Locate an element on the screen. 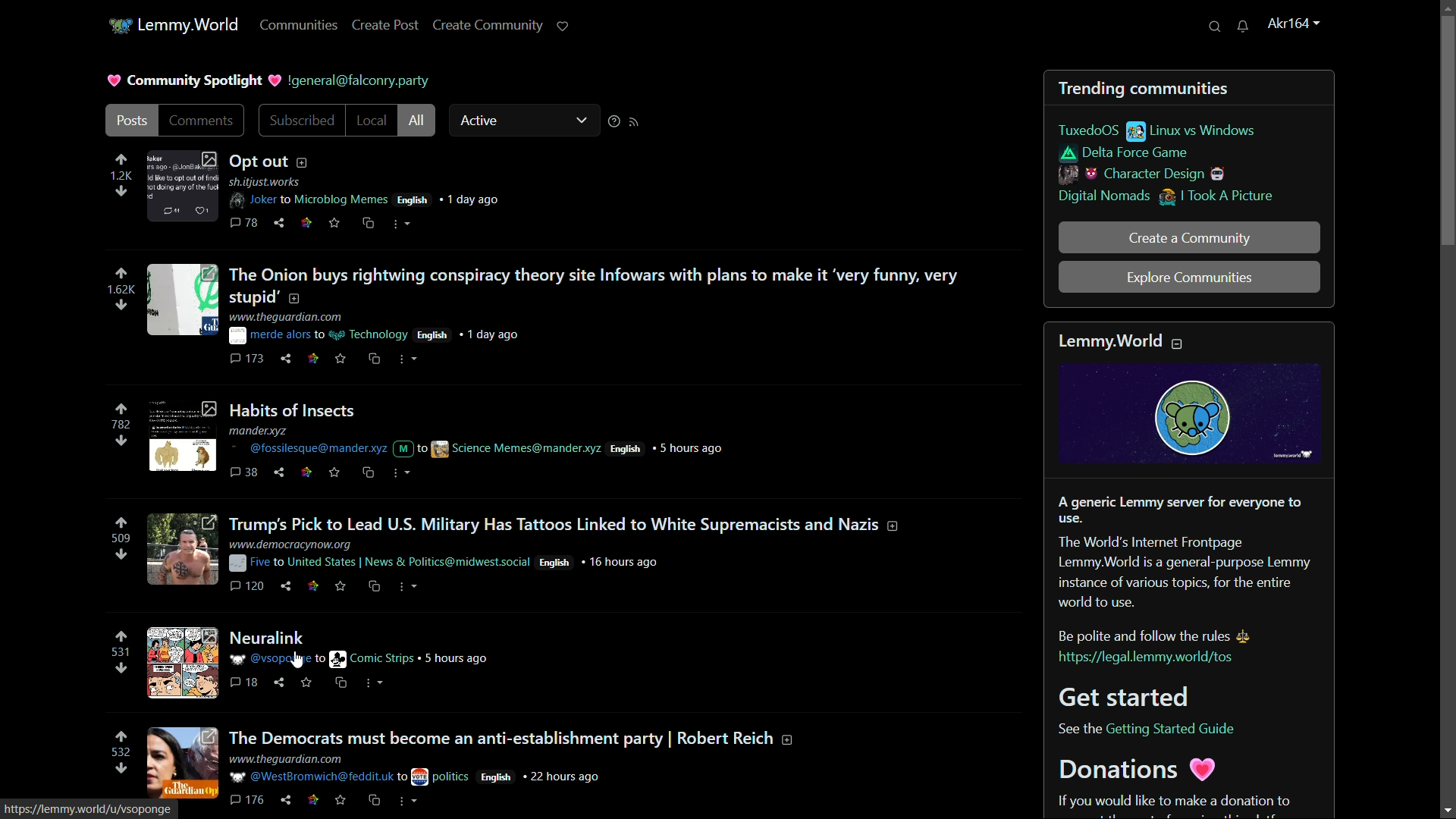 This screenshot has height=819, width=1456. comments is located at coordinates (249, 357).